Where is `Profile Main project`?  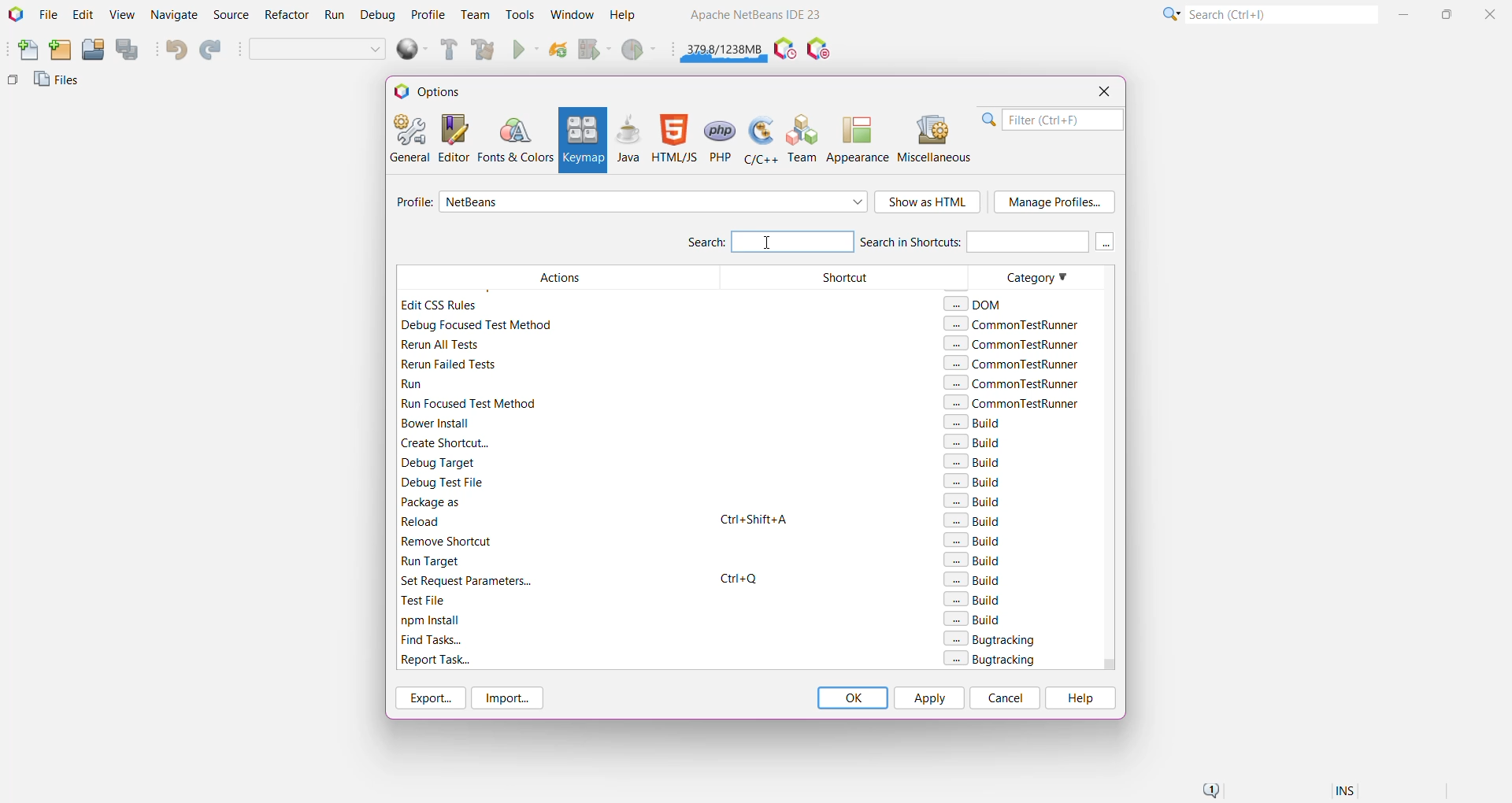
Profile Main project is located at coordinates (640, 51).